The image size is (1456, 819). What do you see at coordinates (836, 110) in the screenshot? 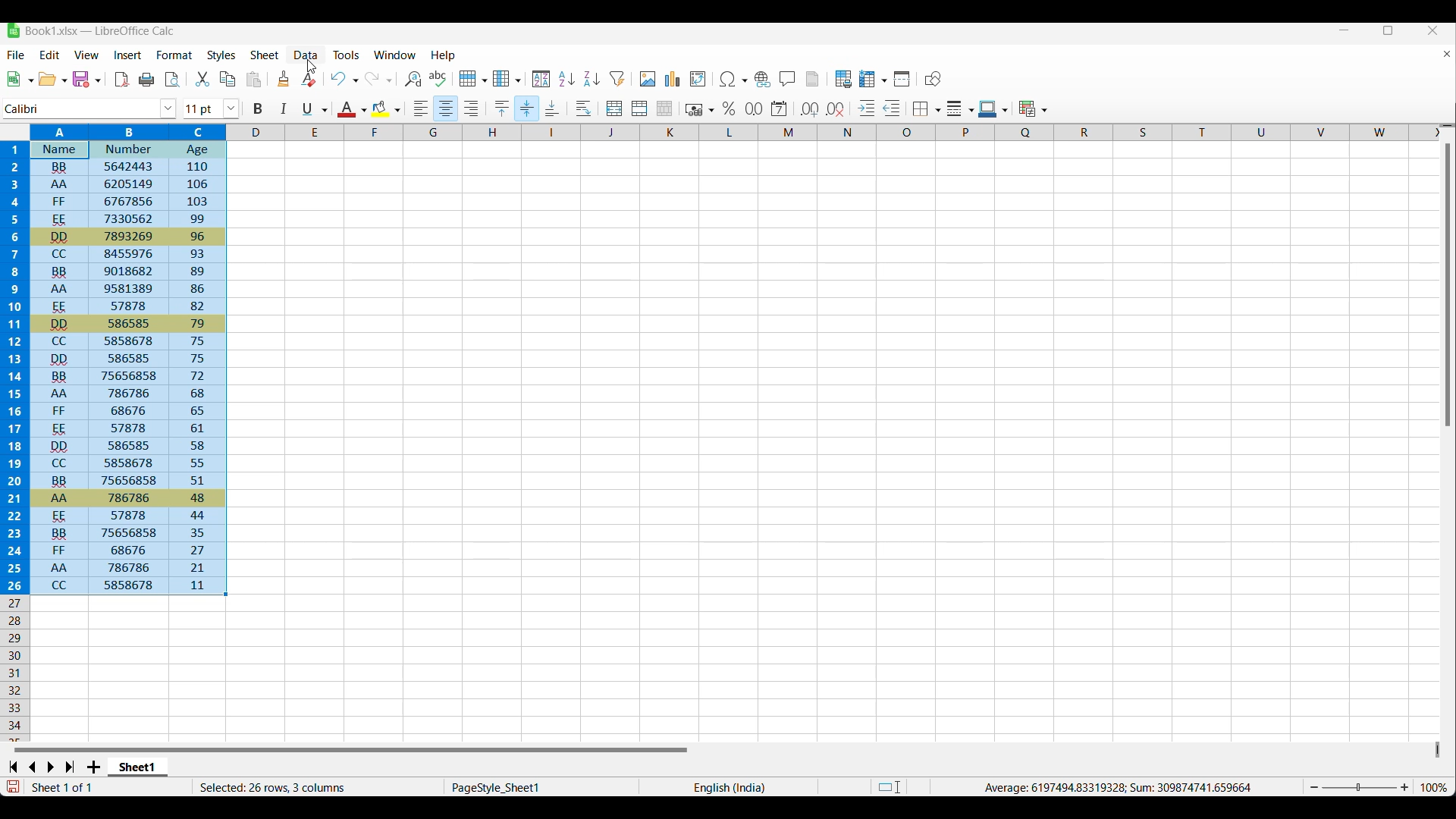
I see `Delete decimal place ` at bounding box center [836, 110].